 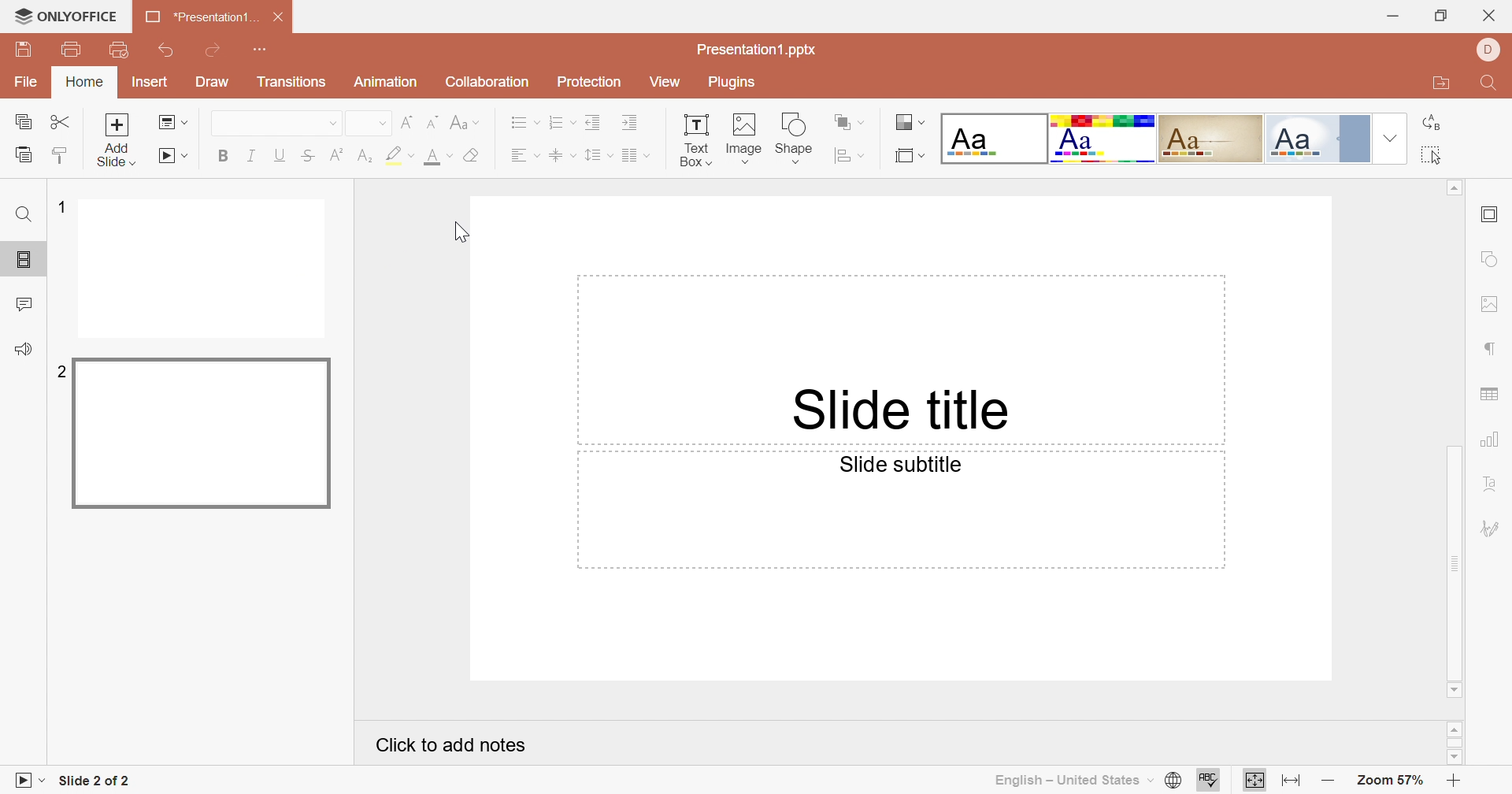 I want to click on Find, so click(x=1487, y=82).